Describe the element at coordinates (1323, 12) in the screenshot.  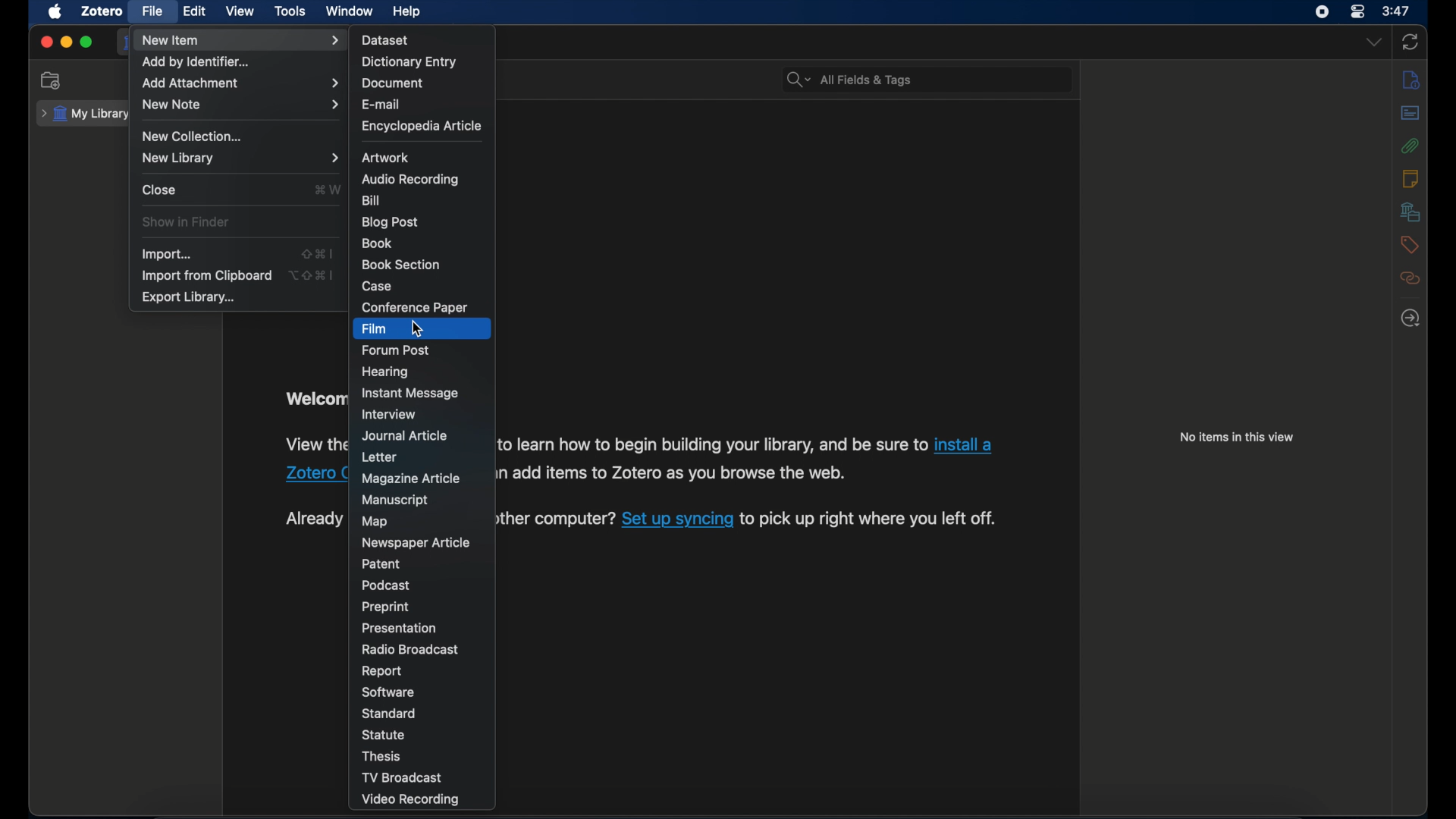
I see `screen recorder` at that location.